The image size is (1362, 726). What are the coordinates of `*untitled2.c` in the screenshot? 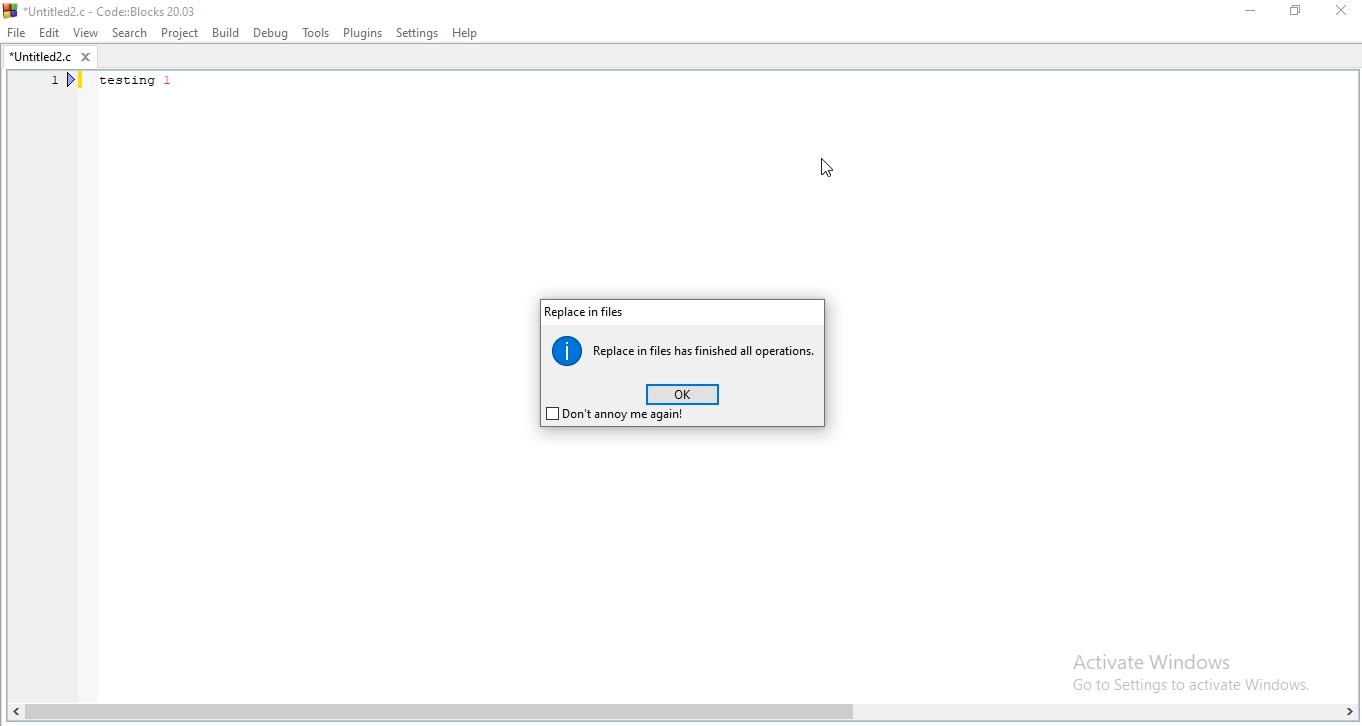 It's located at (49, 59).